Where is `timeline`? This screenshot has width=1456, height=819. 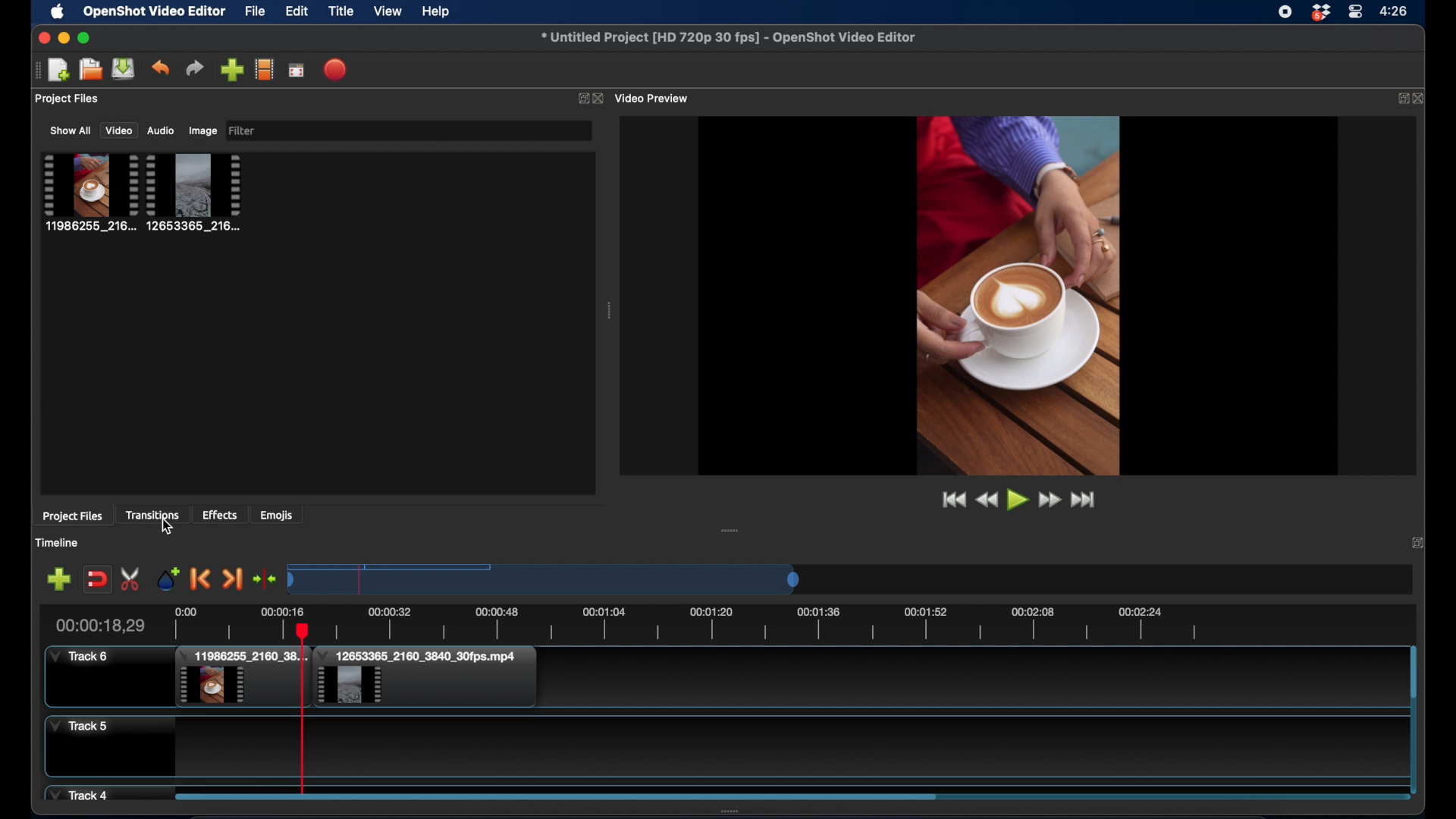 timeline is located at coordinates (58, 542).